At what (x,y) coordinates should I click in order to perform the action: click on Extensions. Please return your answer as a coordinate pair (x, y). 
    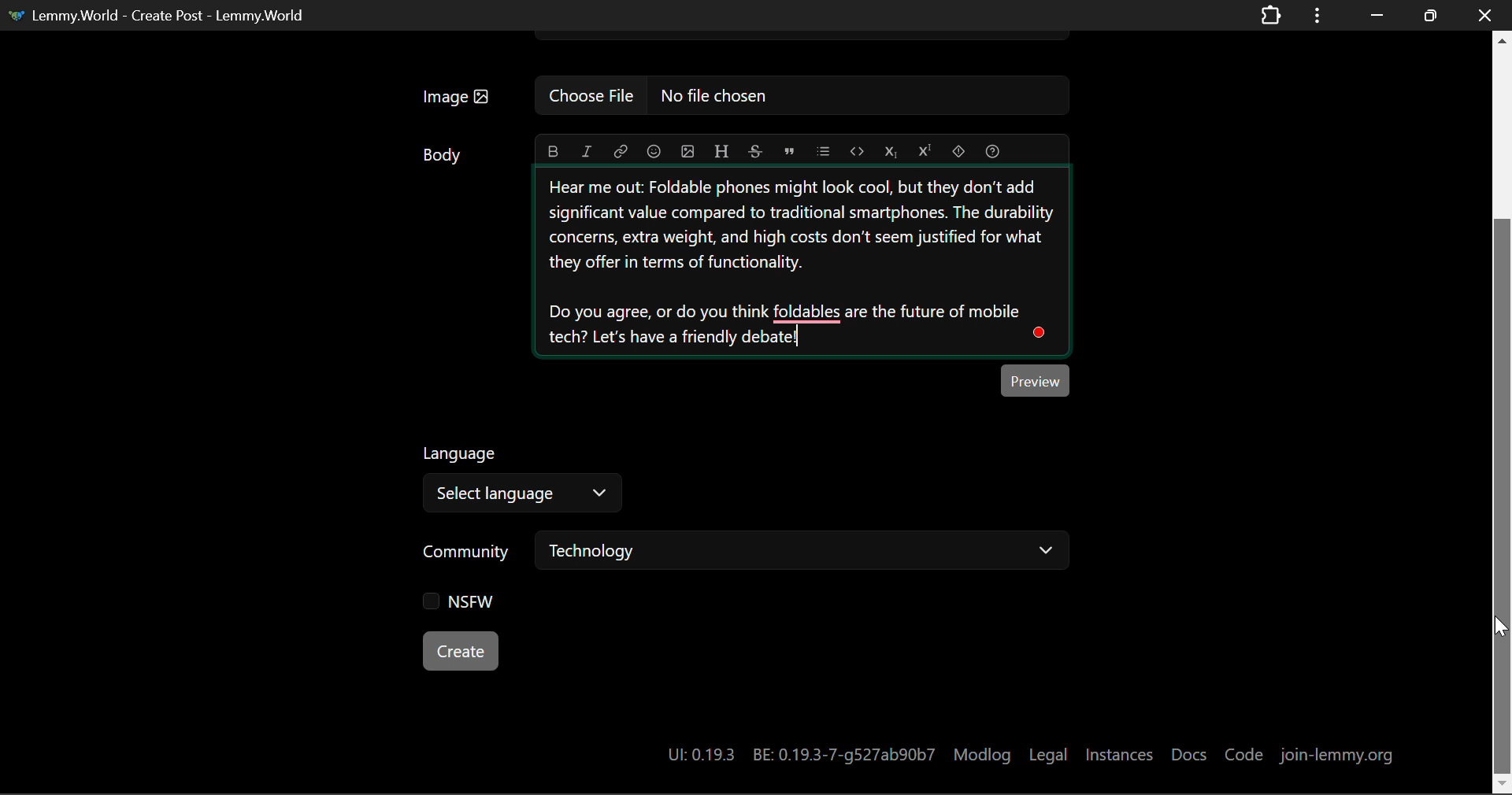
    Looking at the image, I should click on (1270, 14).